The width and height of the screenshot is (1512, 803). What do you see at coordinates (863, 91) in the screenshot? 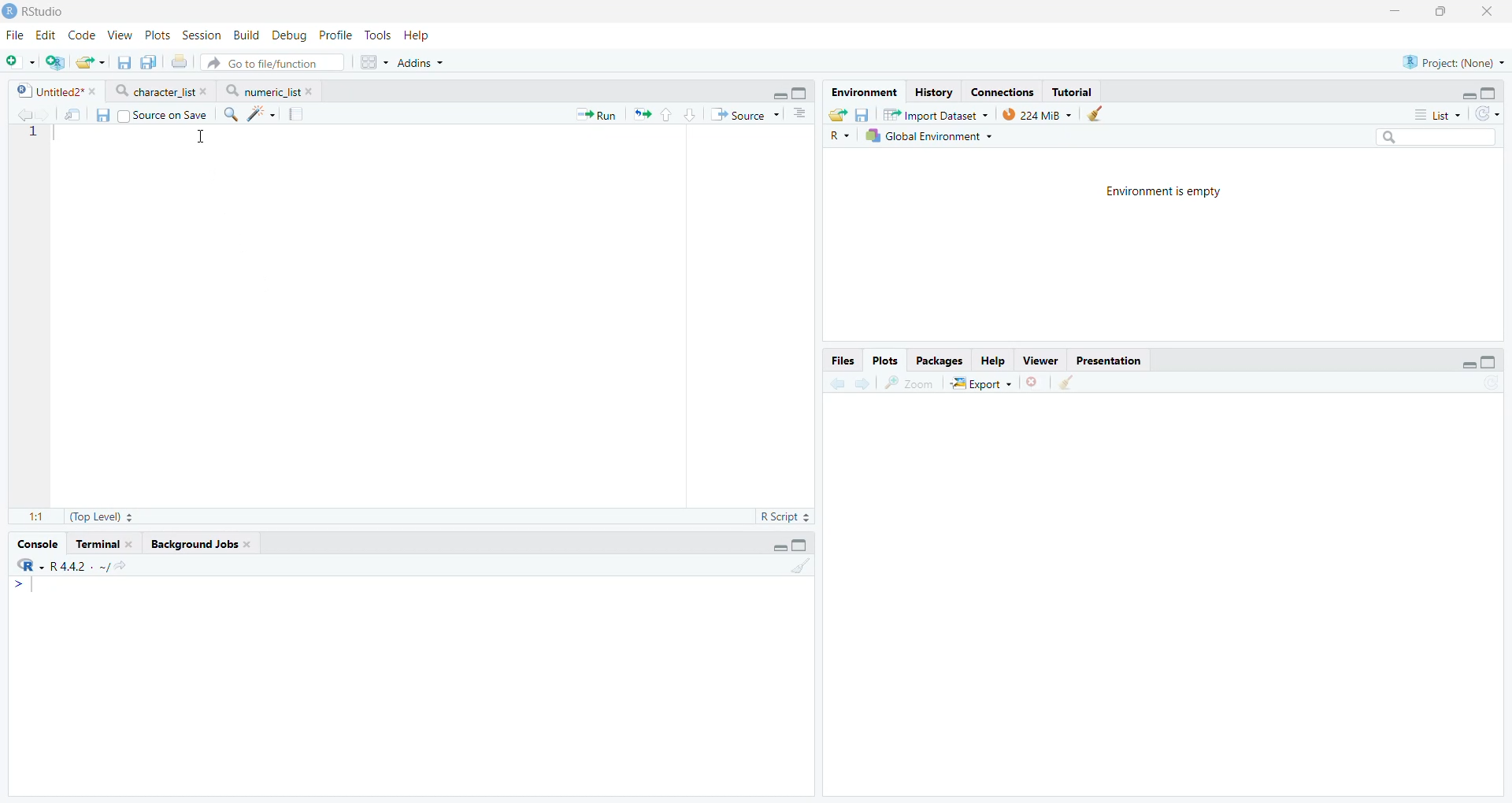
I see `Environment` at bounding box center [863, 91].